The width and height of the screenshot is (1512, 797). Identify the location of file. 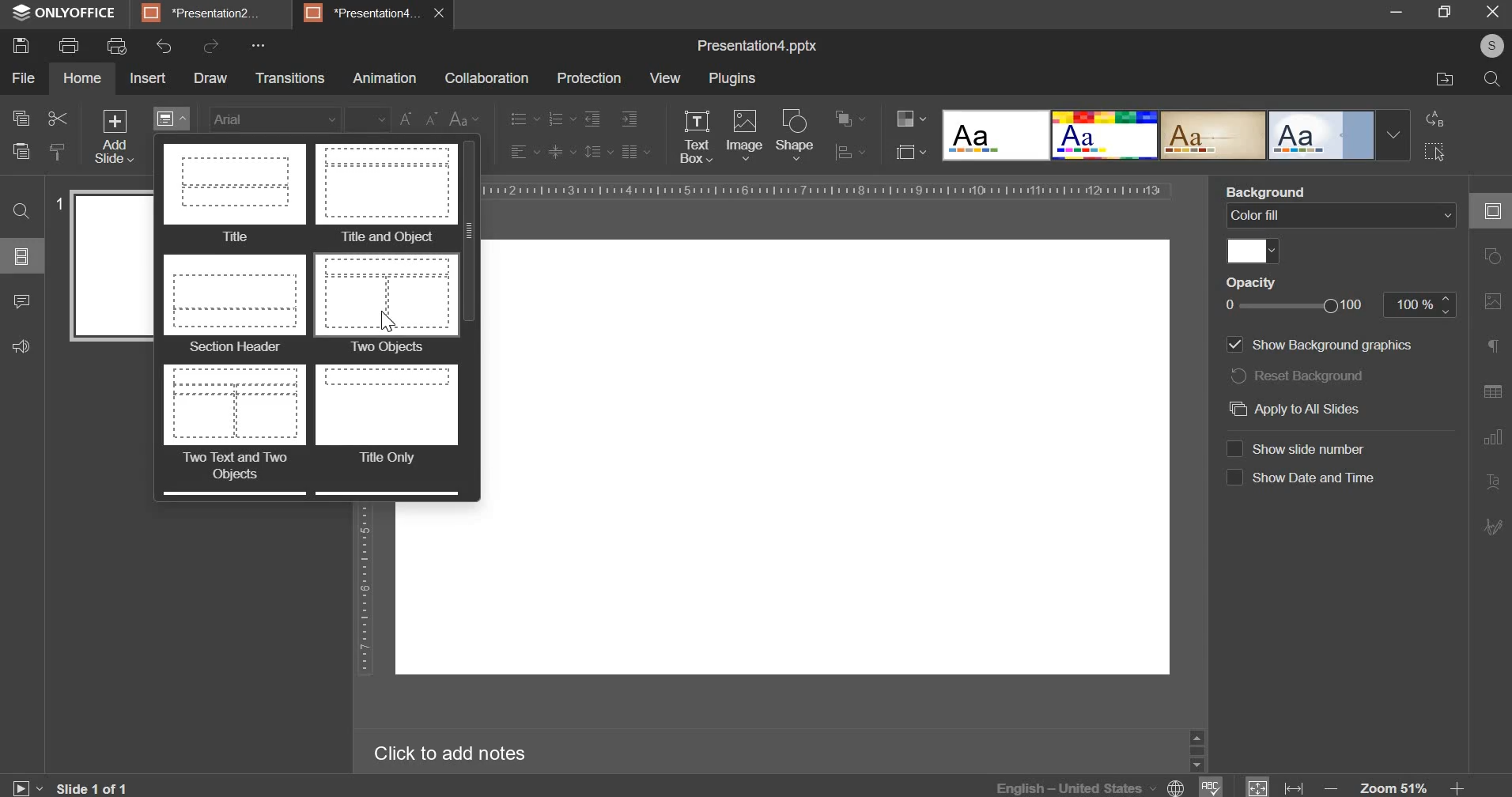
(22, 78).